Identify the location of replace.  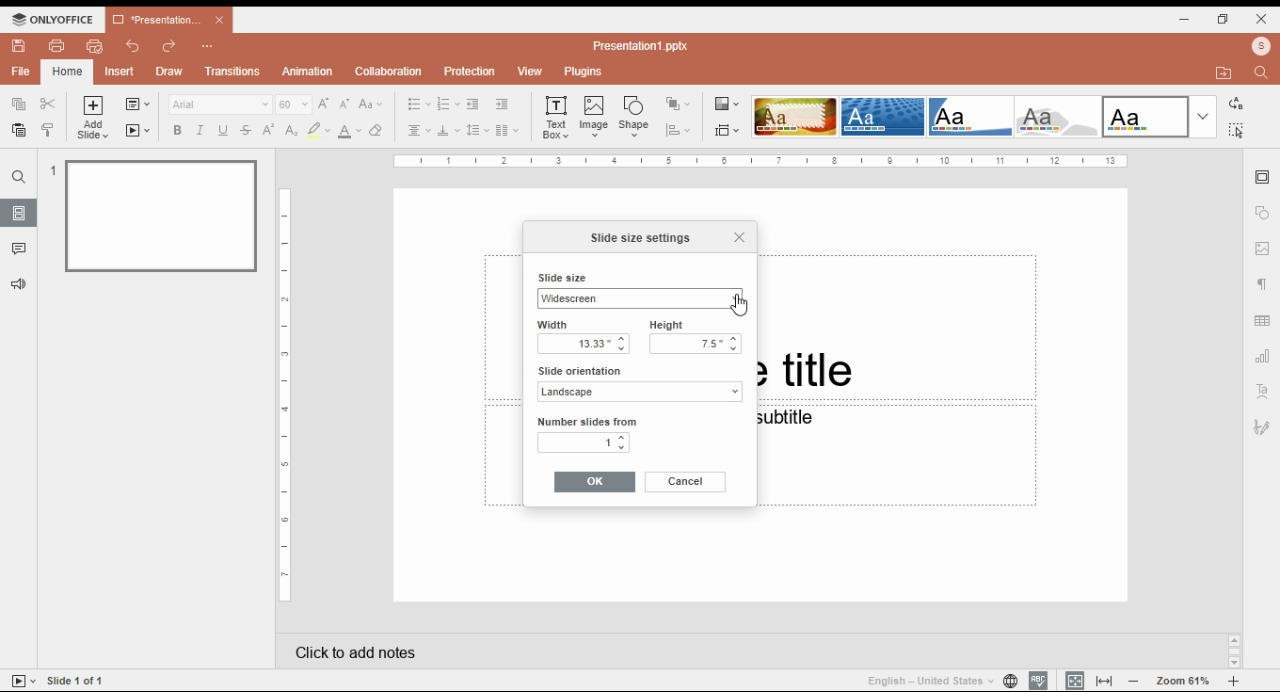
(1234, 104).